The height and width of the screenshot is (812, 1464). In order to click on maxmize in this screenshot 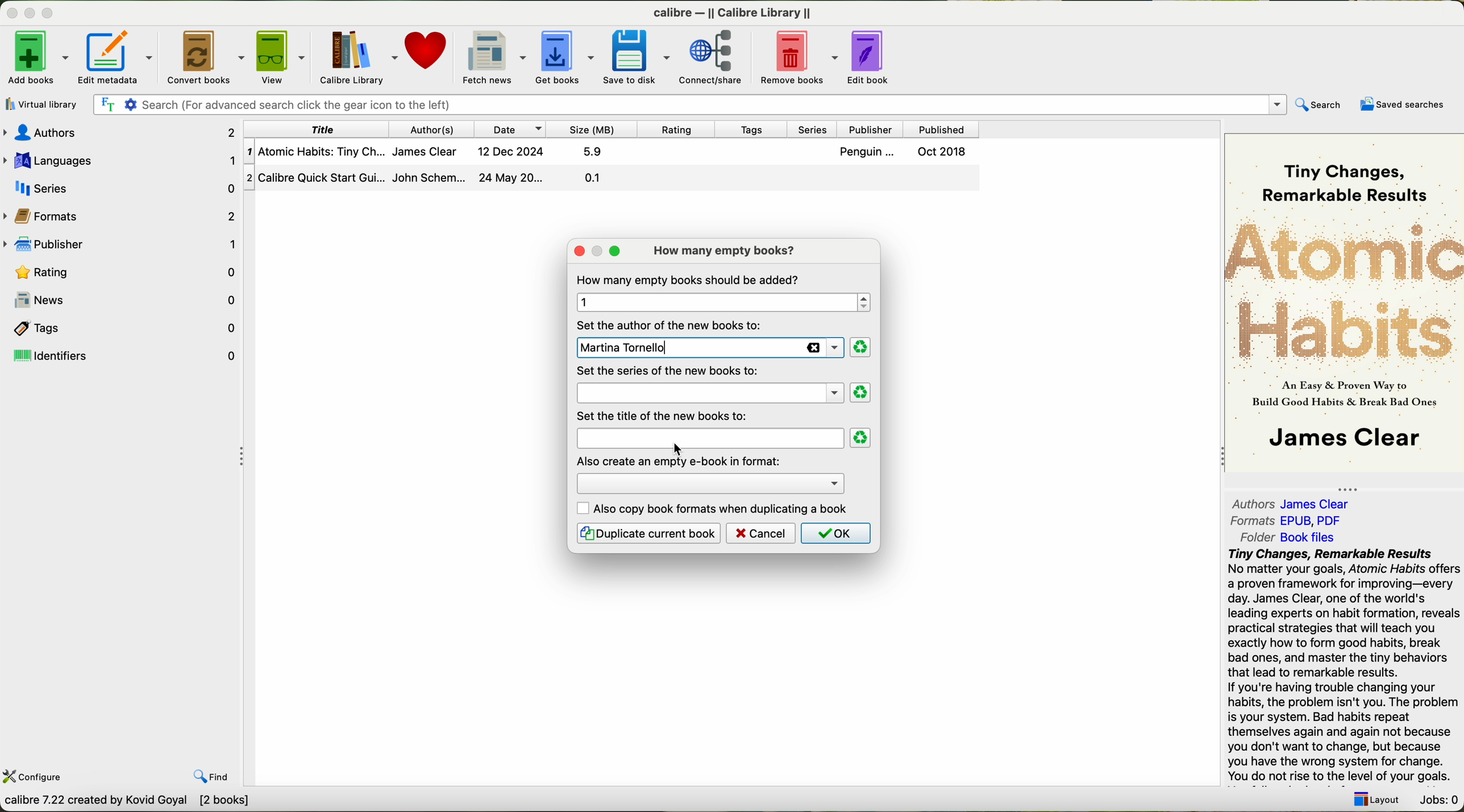, I will do `click(594, 255)`.